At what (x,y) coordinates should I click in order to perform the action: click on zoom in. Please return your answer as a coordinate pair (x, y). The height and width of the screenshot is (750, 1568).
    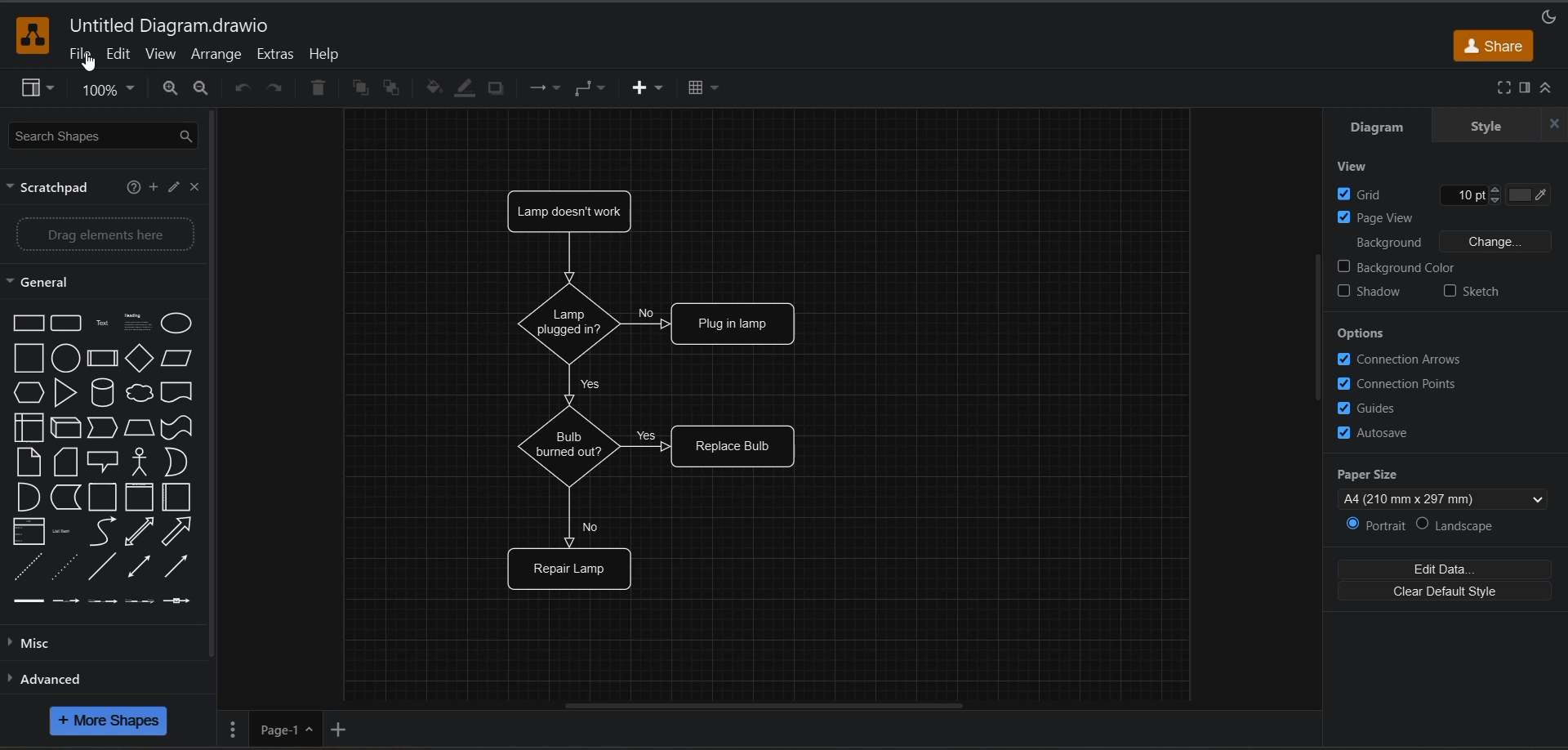
    Looking at the image, I should click on (167, 88).